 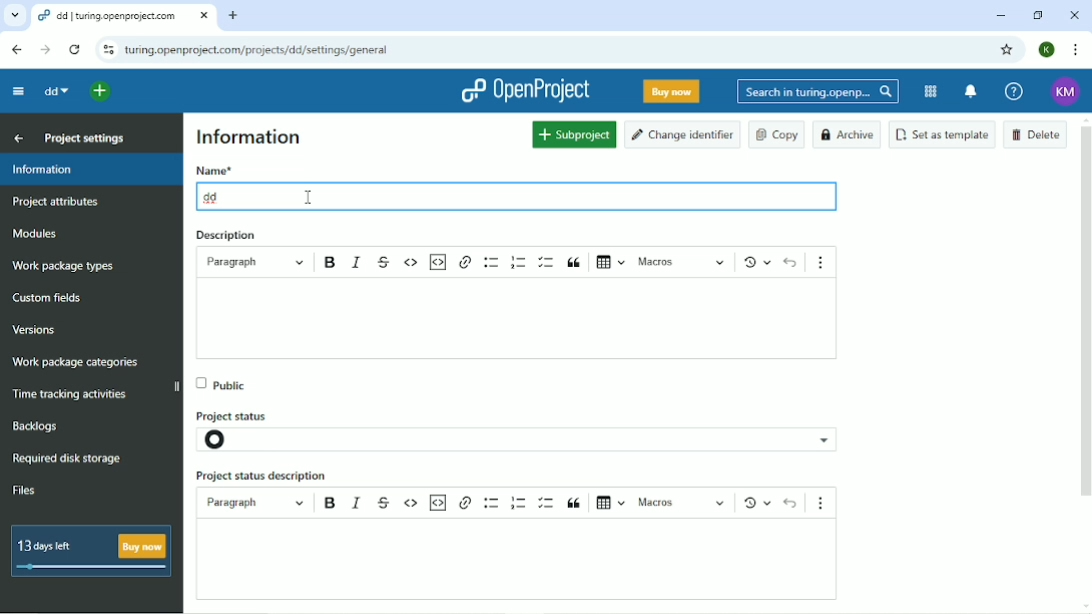 What do you see at coordinates (225, 236) in the screenshot?
I see `Description` at bounding box center [225, 236].